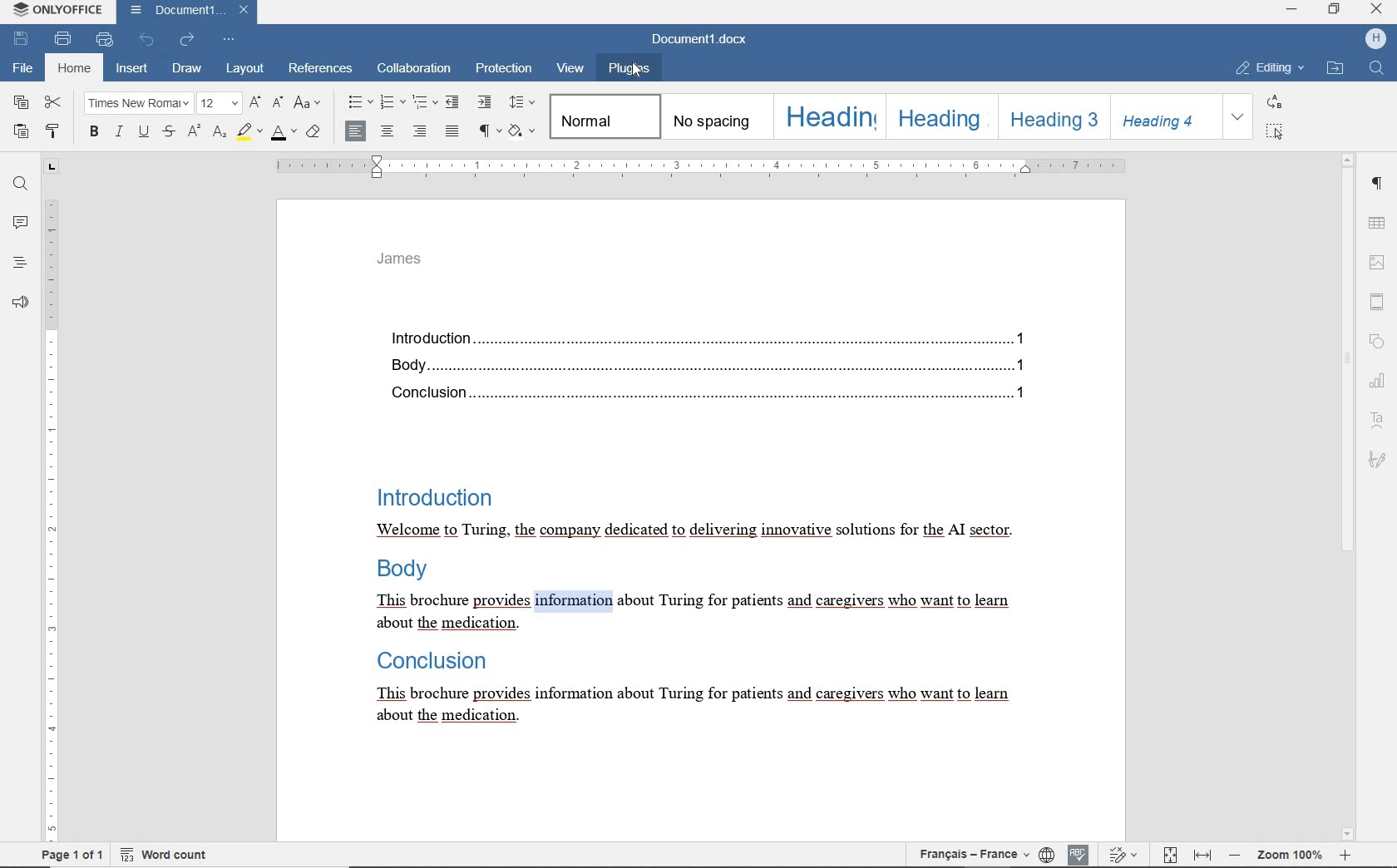 The width and height of the screenshot is (1397, 868). I want to click on PLUGINS, so click(629, 70).